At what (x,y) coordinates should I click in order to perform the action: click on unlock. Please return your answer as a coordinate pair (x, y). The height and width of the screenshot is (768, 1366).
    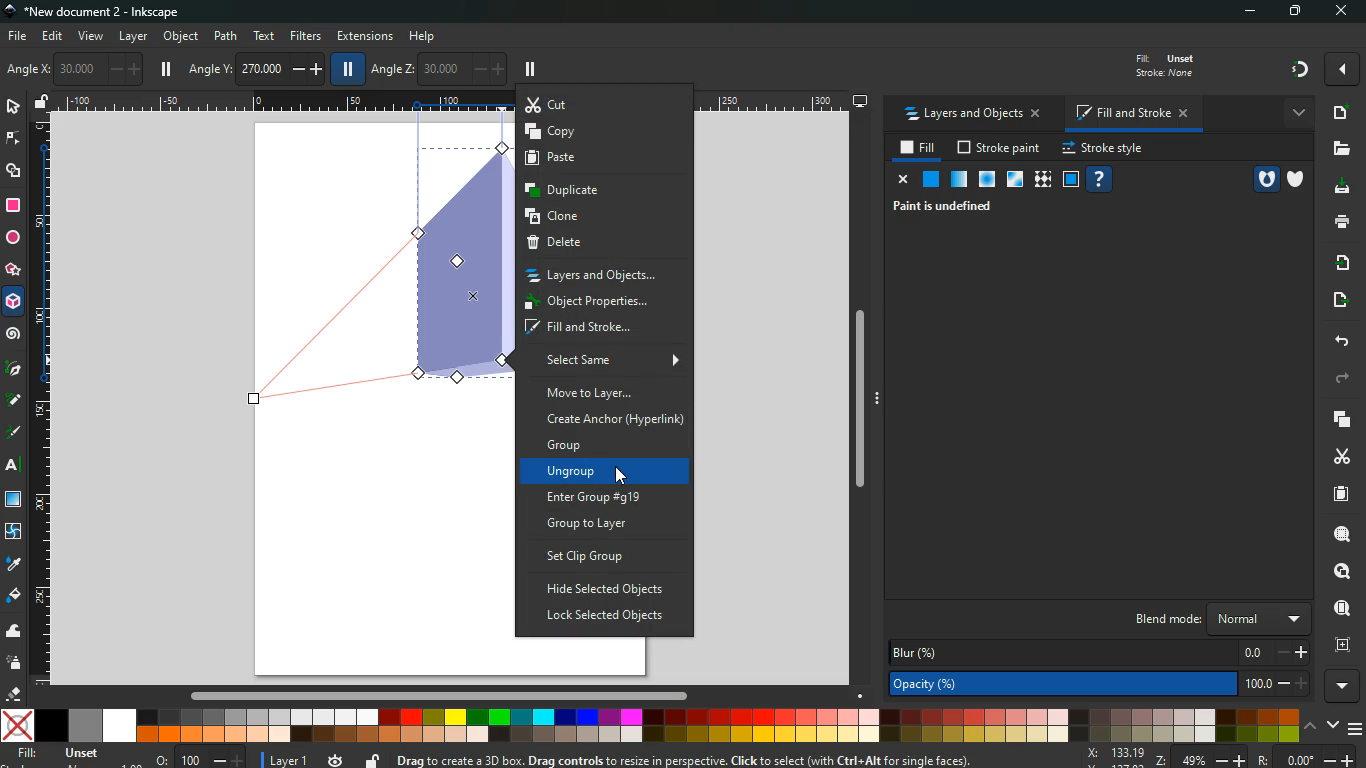
    Looking at the image, I should click on (372, 760).